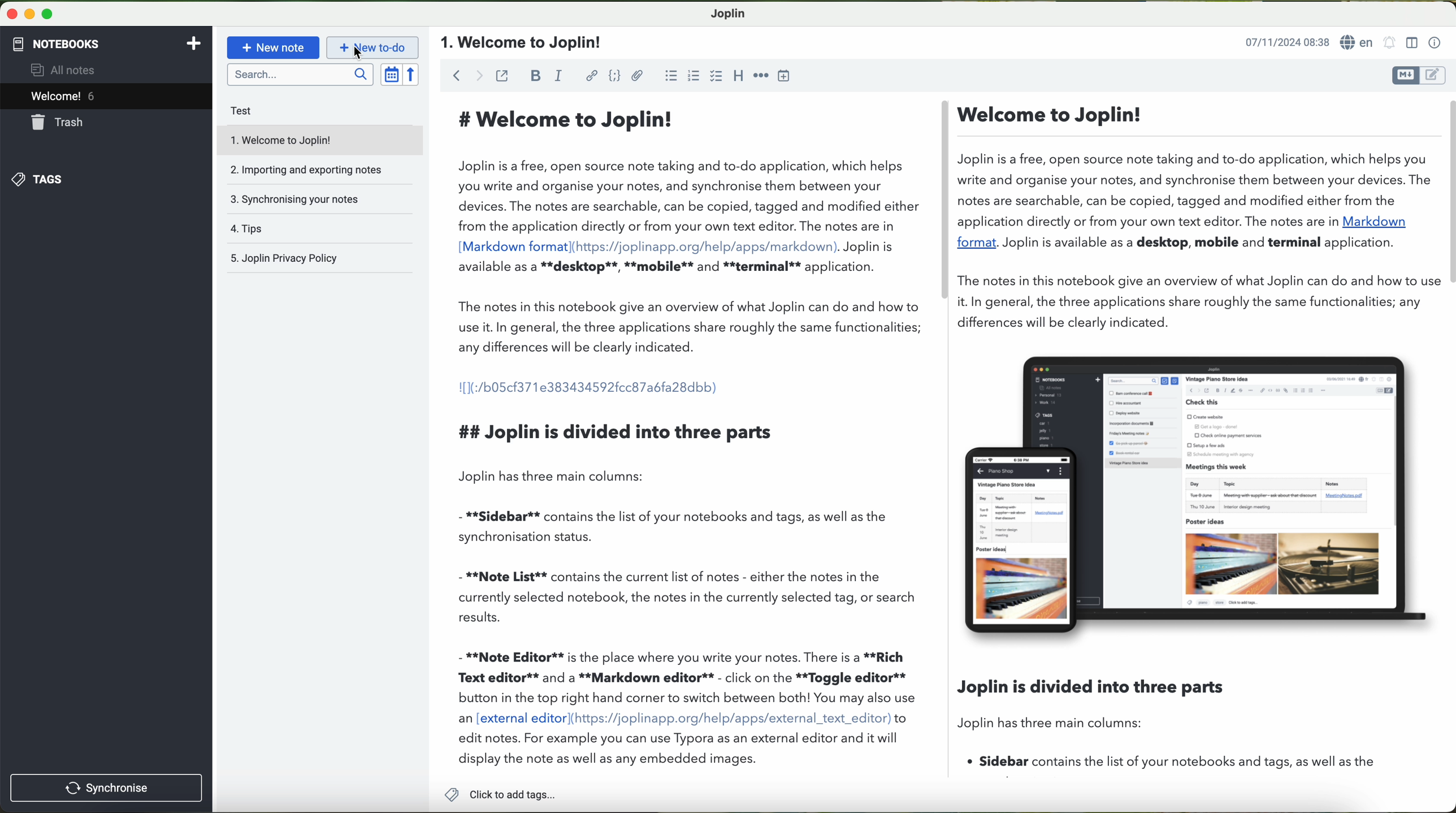 The height and width of the screenshot is (813, 1456). I want to click on back arrow, so click(458, 74).